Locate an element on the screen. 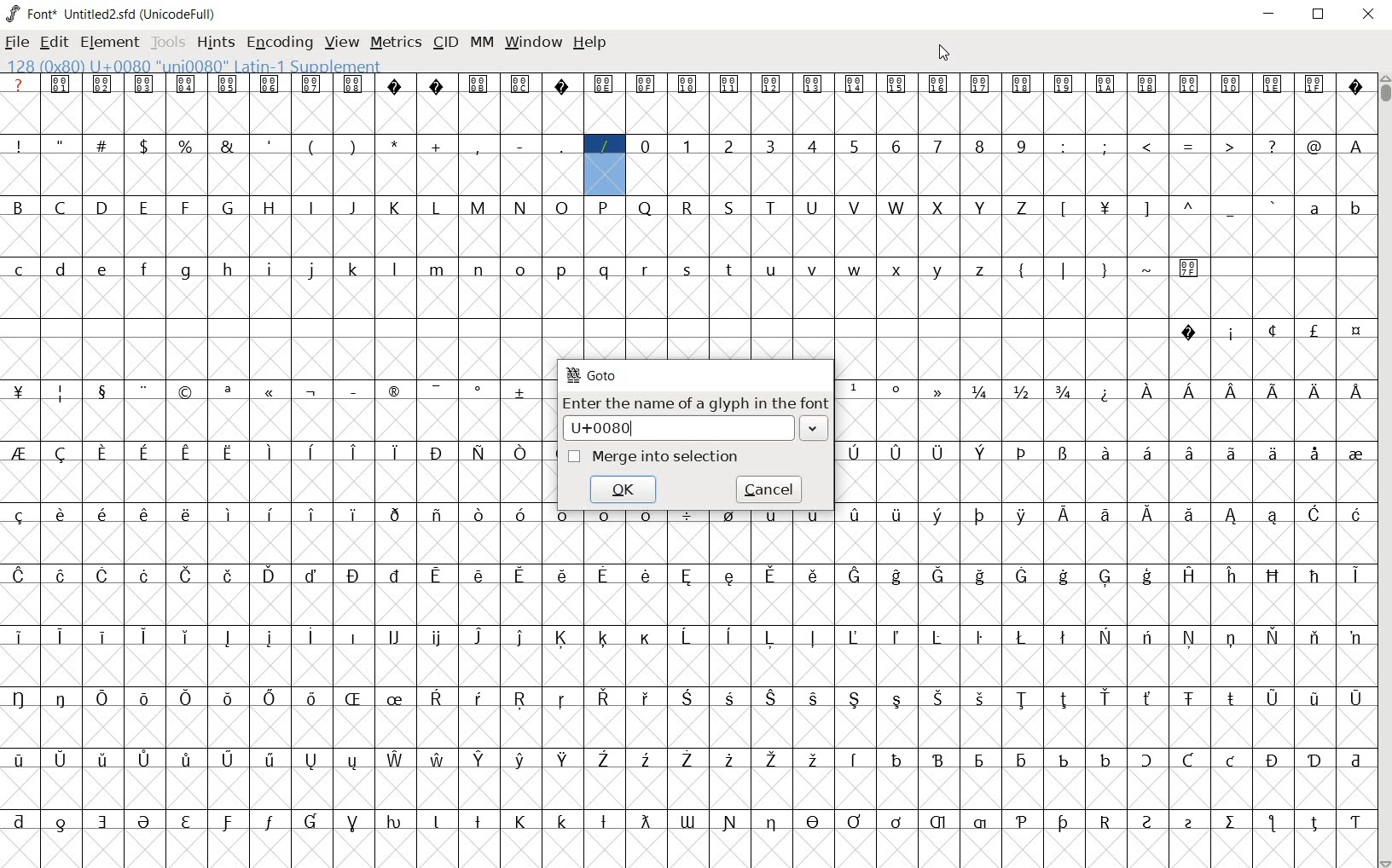 This screenshot has height=868, width=1392. glyph is located at coordinates (855, 699).